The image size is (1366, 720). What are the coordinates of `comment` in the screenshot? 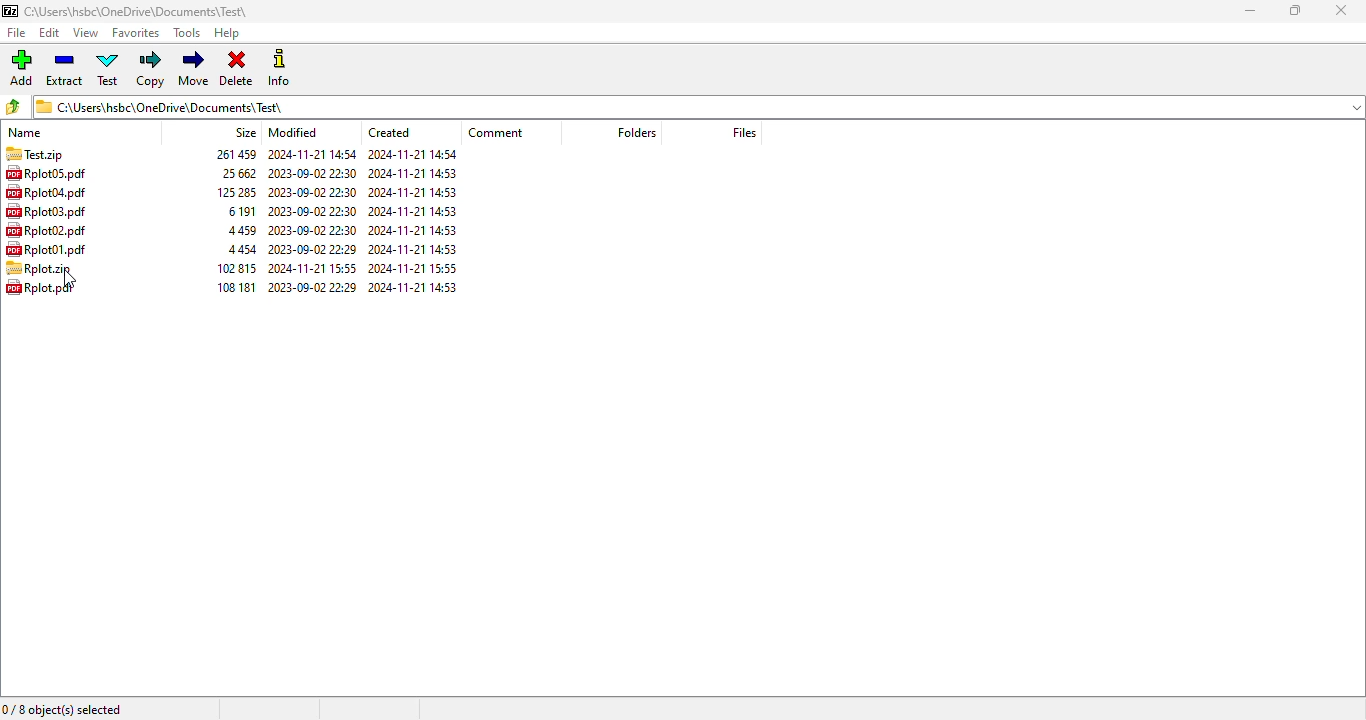 It's located at (496, 133).